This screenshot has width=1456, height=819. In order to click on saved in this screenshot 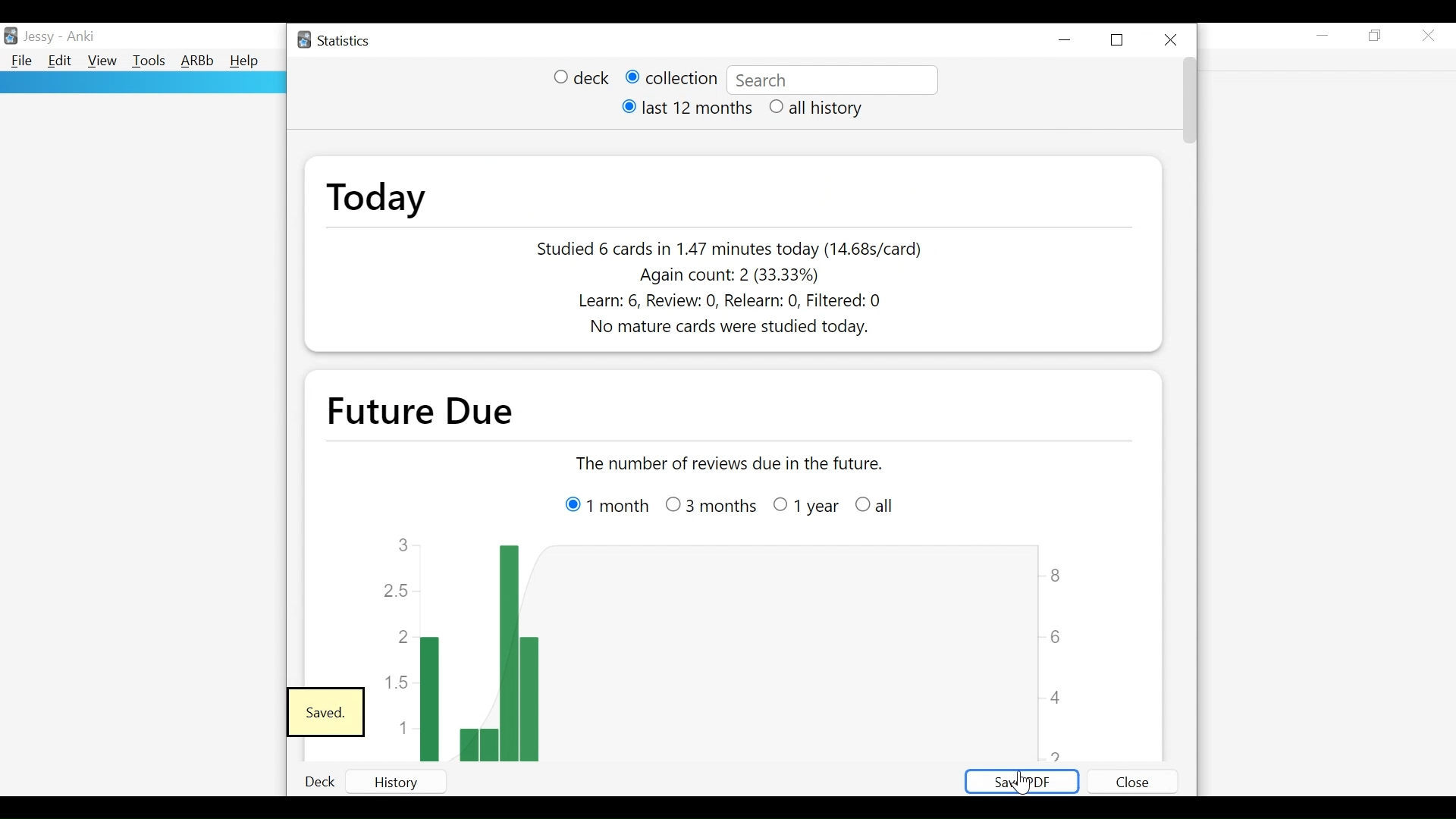, I will do `click(326, 713)`.